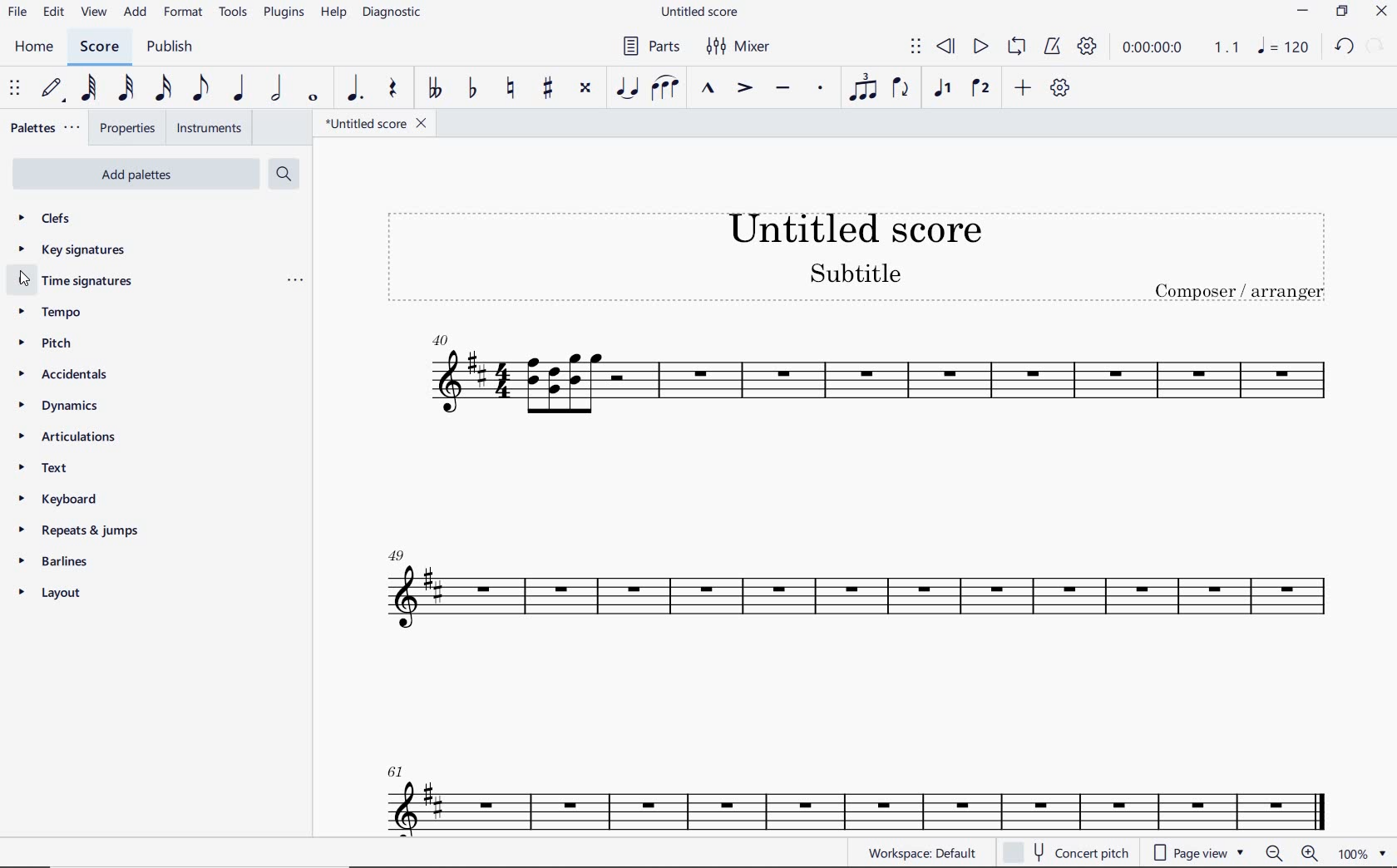 Image resolution: width=1397 pixels, height=868 pixels. I want to click on TEMPO, so click(53, 313).